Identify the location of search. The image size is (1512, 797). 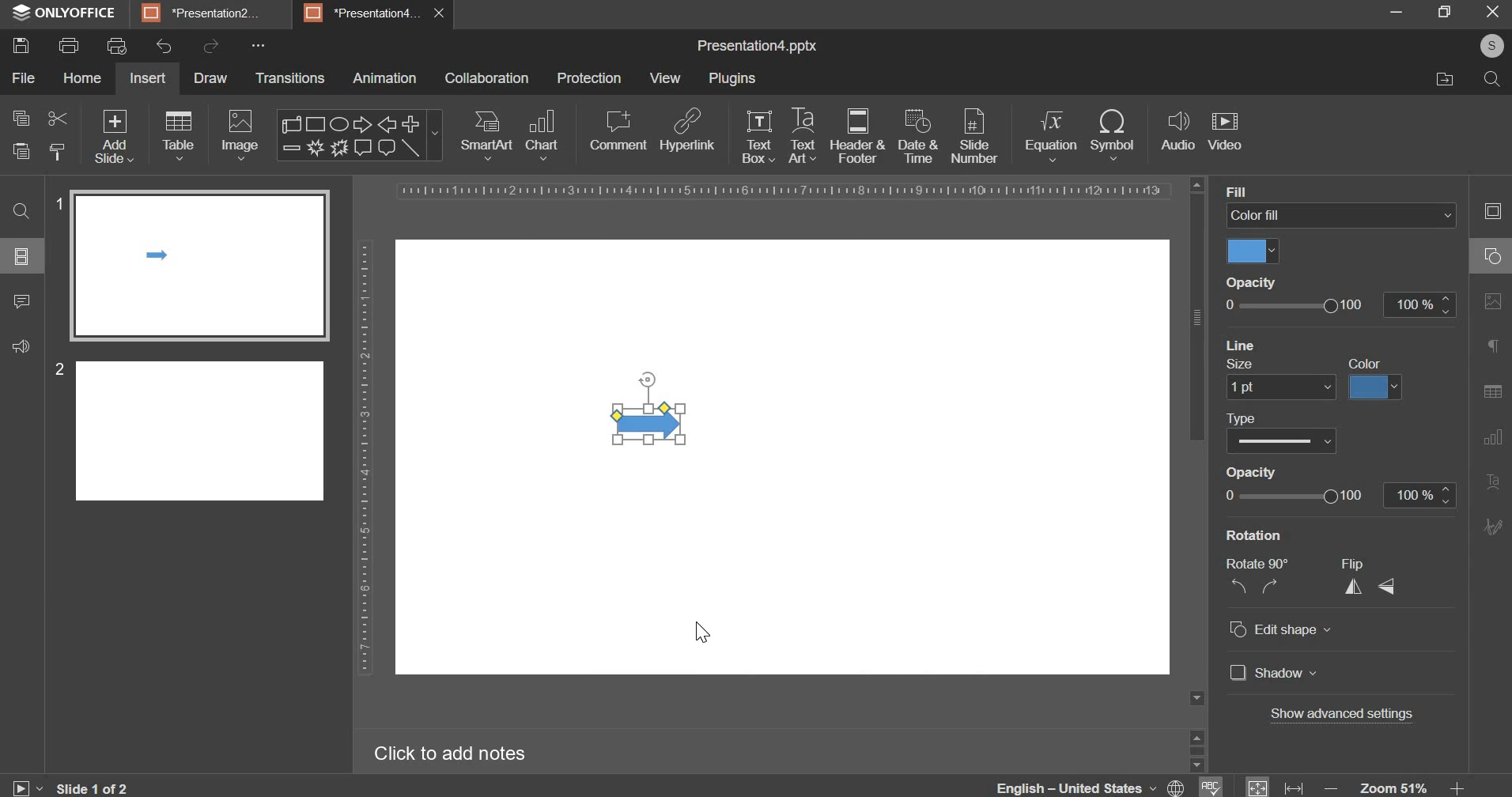
(1487, 77).